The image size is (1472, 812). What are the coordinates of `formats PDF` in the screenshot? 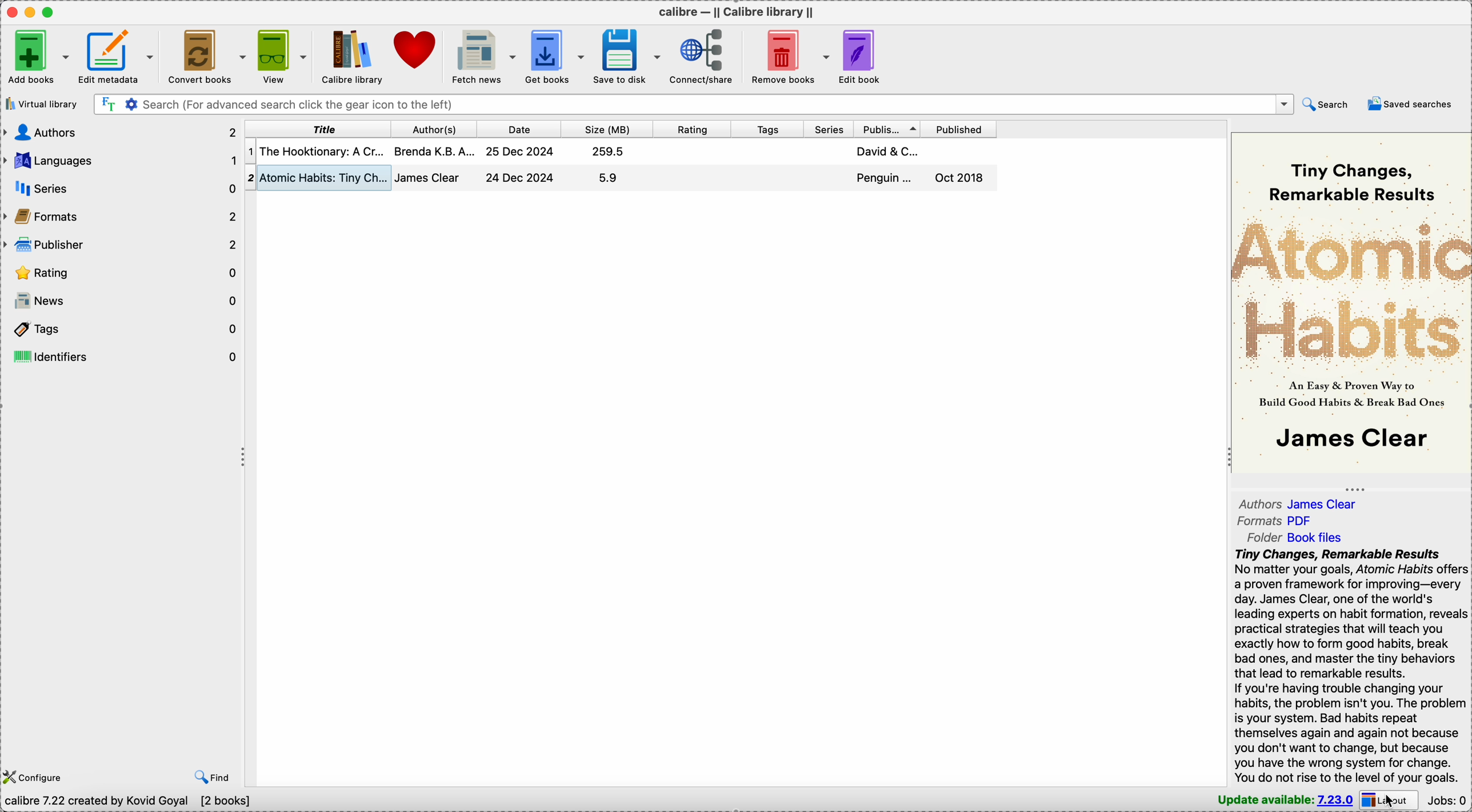 It's located at (1273, 521).